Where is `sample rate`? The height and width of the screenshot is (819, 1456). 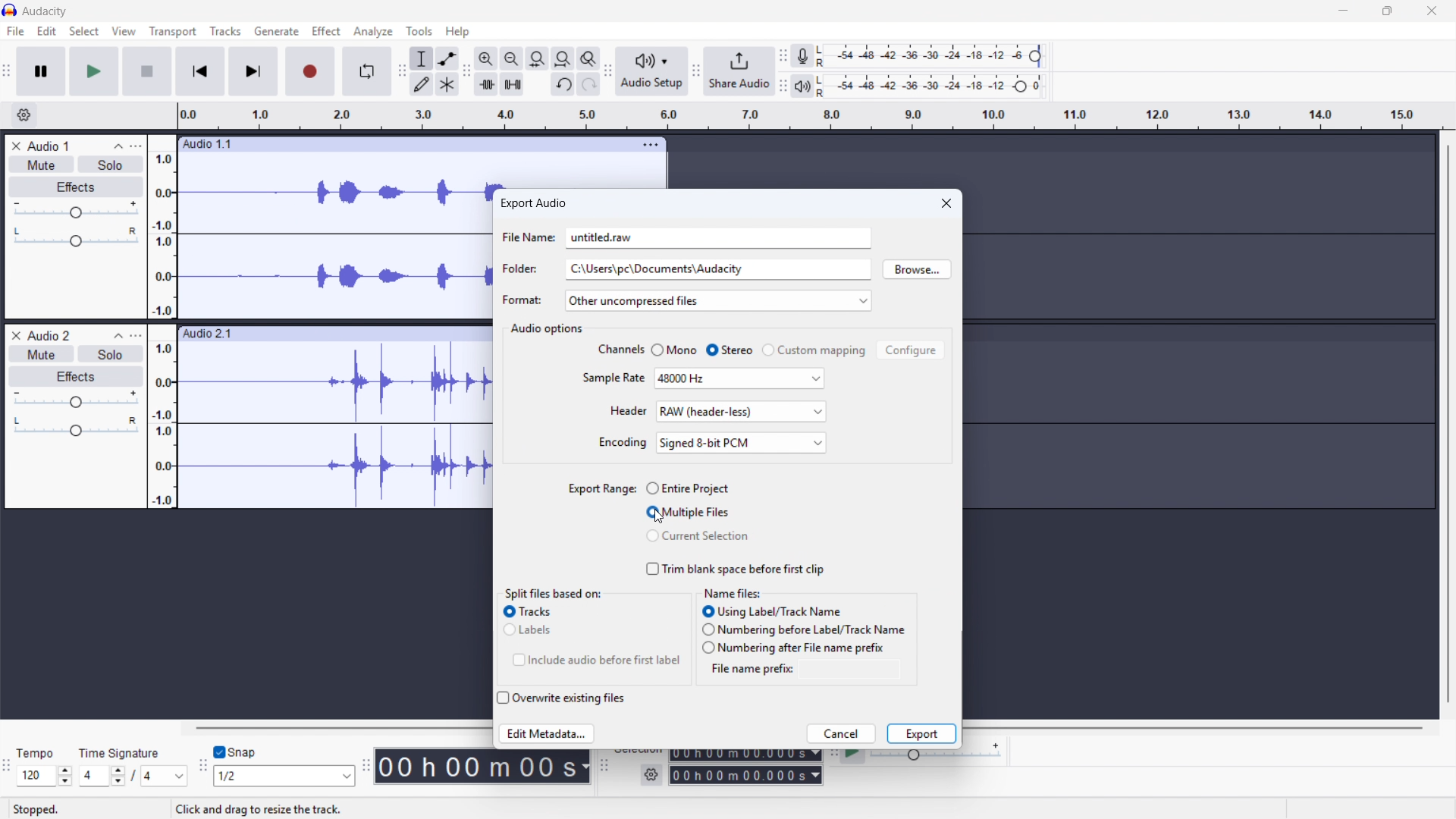
sample rate is located at coordinates (613, 377).